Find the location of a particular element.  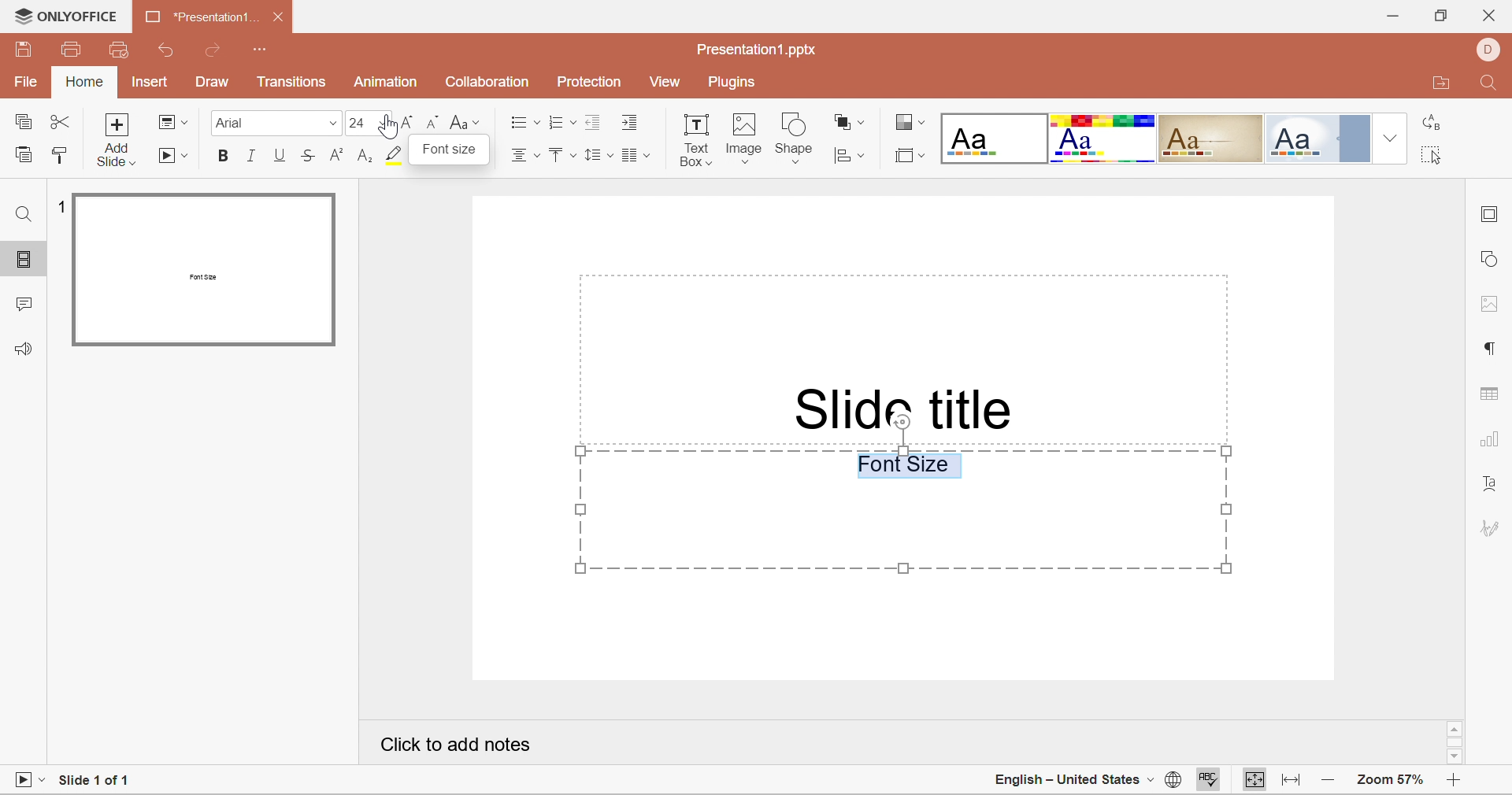

English - United States is located at coordinates (1067, 782).